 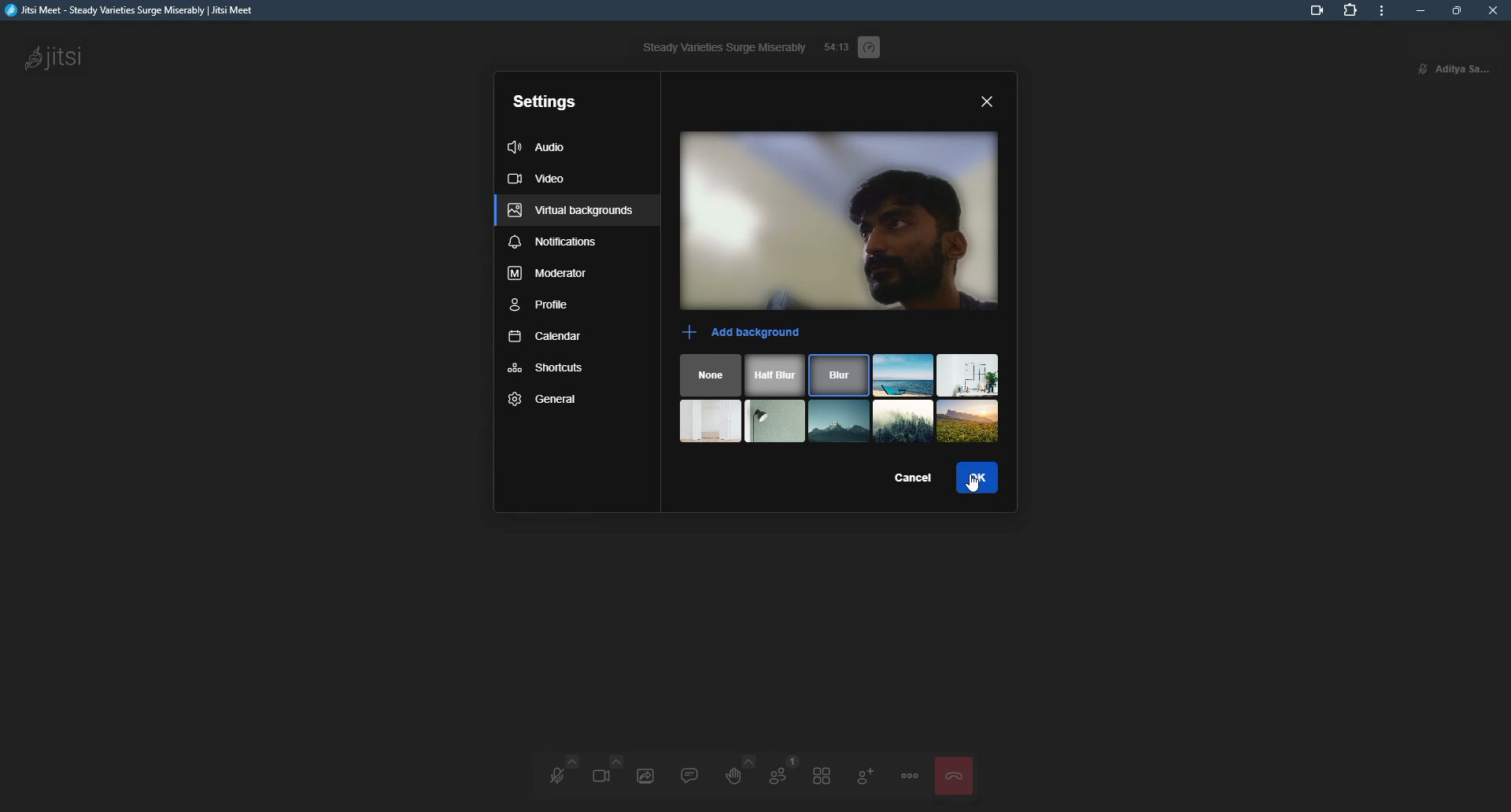 What do you see at coordinates (989, 101) in the screenshot?
I see `close` at bounding box center [989, 101].